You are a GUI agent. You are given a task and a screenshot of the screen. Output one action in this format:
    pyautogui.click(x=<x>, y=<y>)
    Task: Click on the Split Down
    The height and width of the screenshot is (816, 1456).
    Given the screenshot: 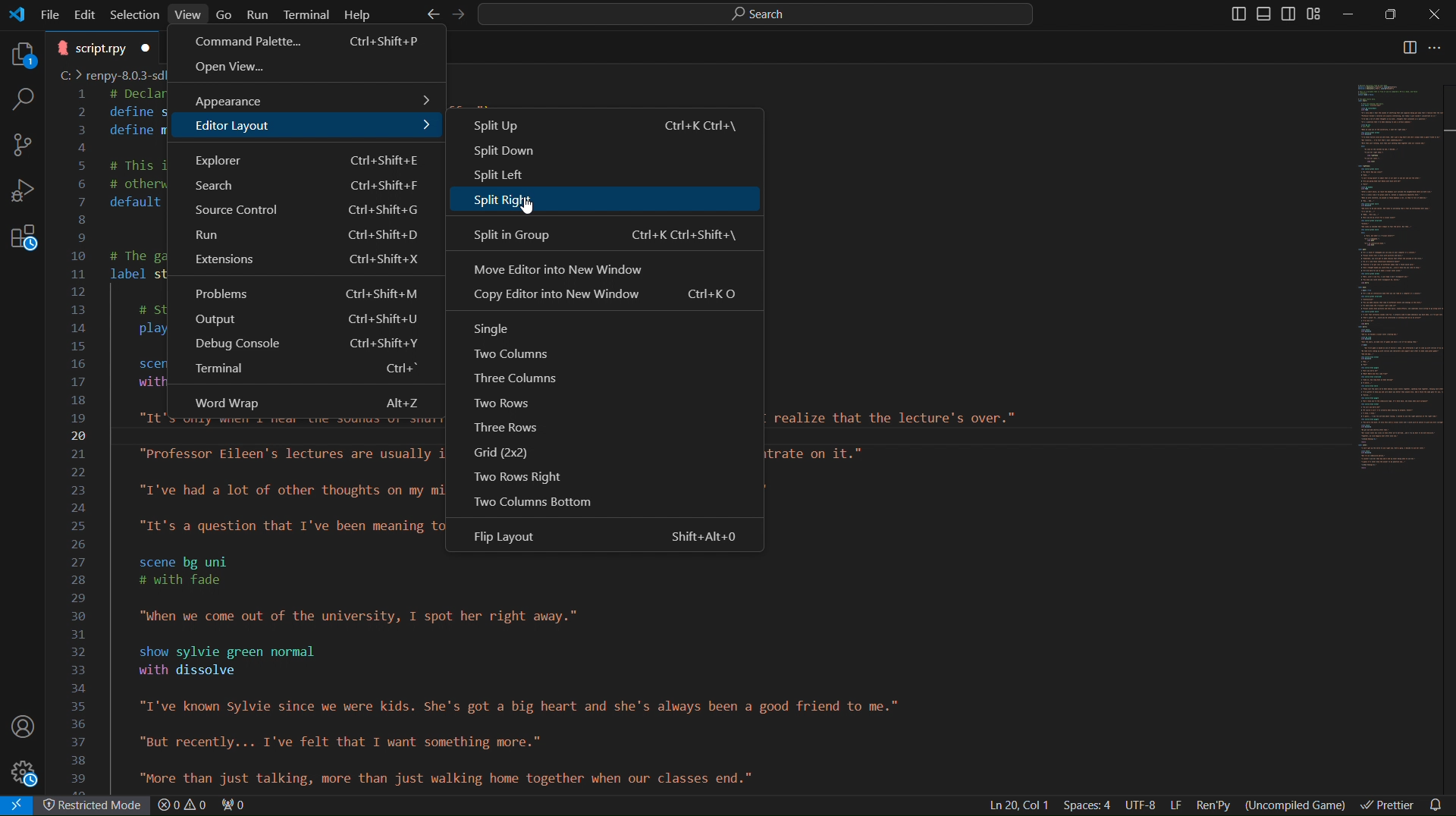 What is the action you would take?
    pyautogui.click(x=606, y=154)
    